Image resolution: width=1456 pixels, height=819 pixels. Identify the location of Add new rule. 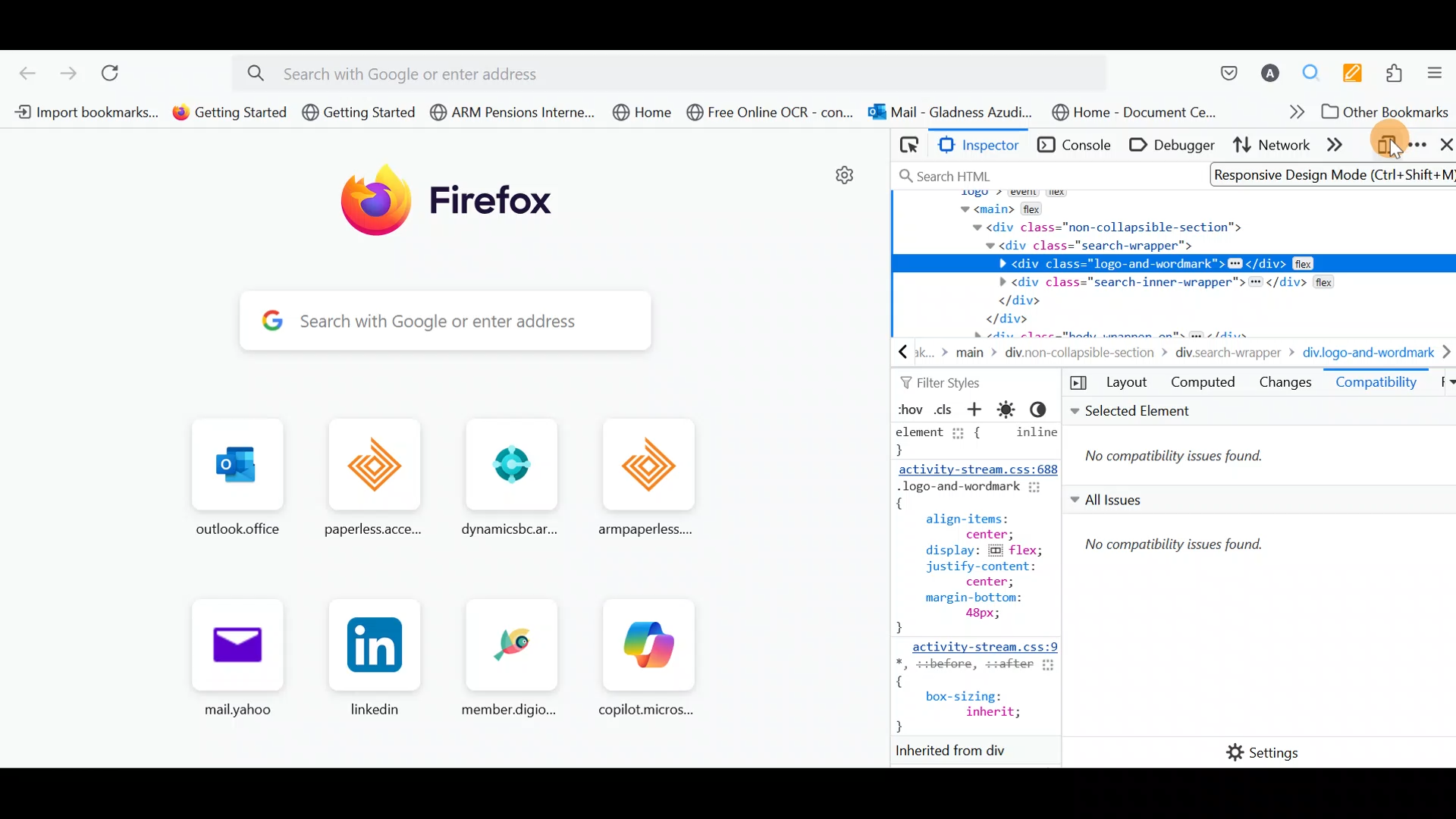
(980, 411).